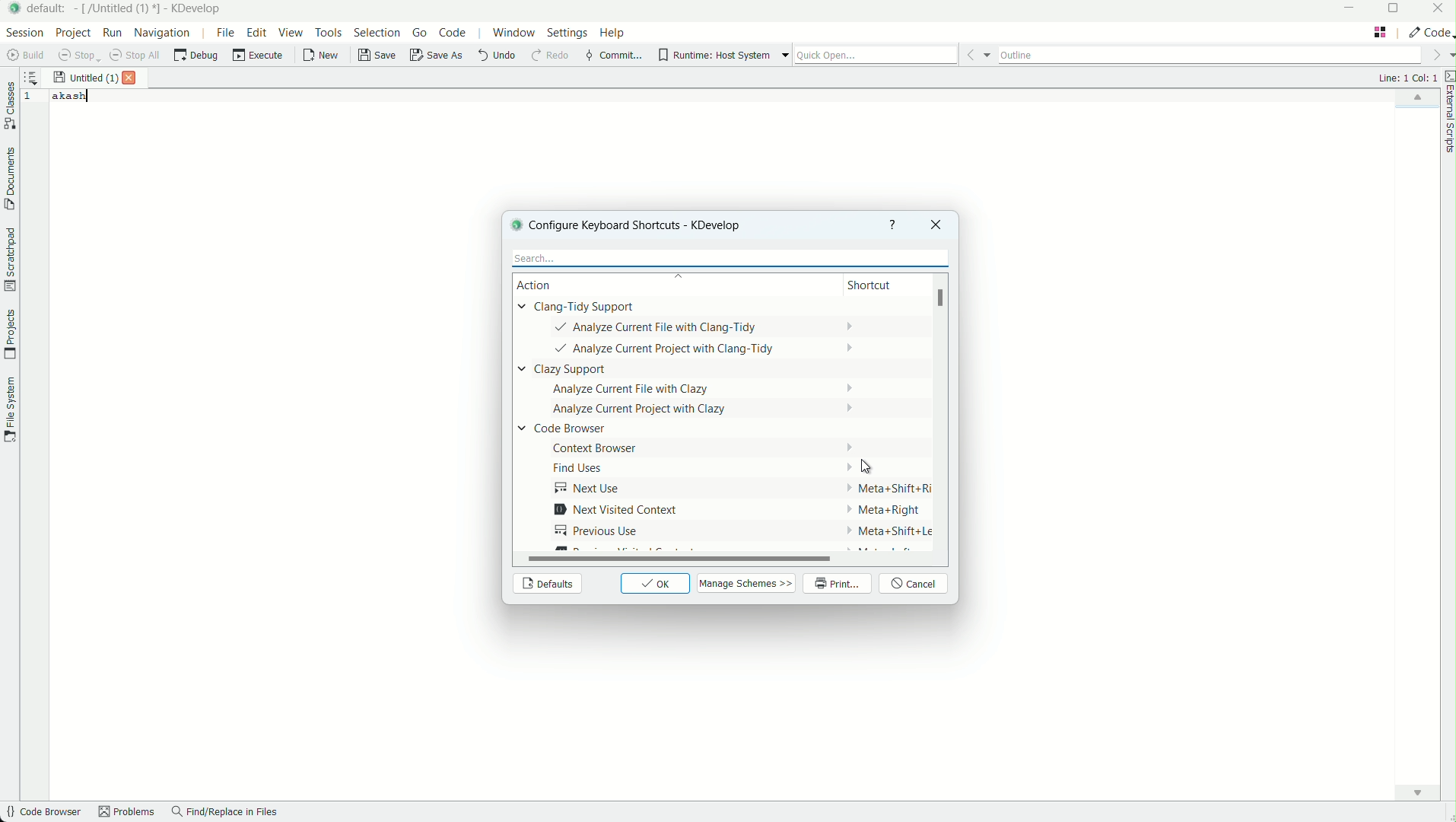 Image resolution: width=1456 pixels, height=822 pixels. What do you see at coordinates (79, 56) in the screenshot?
I see `stop` at bounding box center [79, 56].